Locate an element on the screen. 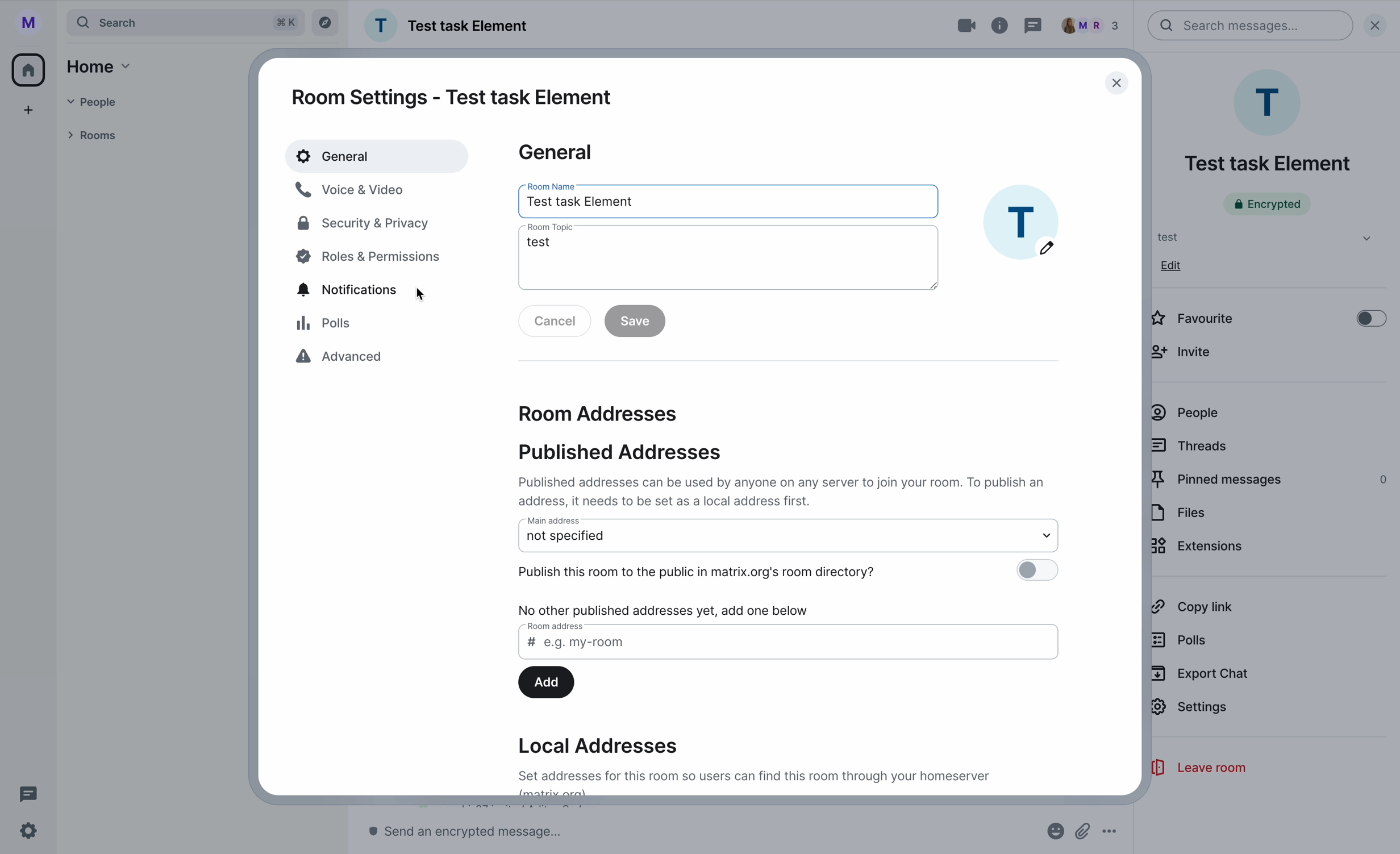 This screenshot has width=1400, height=854. name group is located at coordinates (449, 26).